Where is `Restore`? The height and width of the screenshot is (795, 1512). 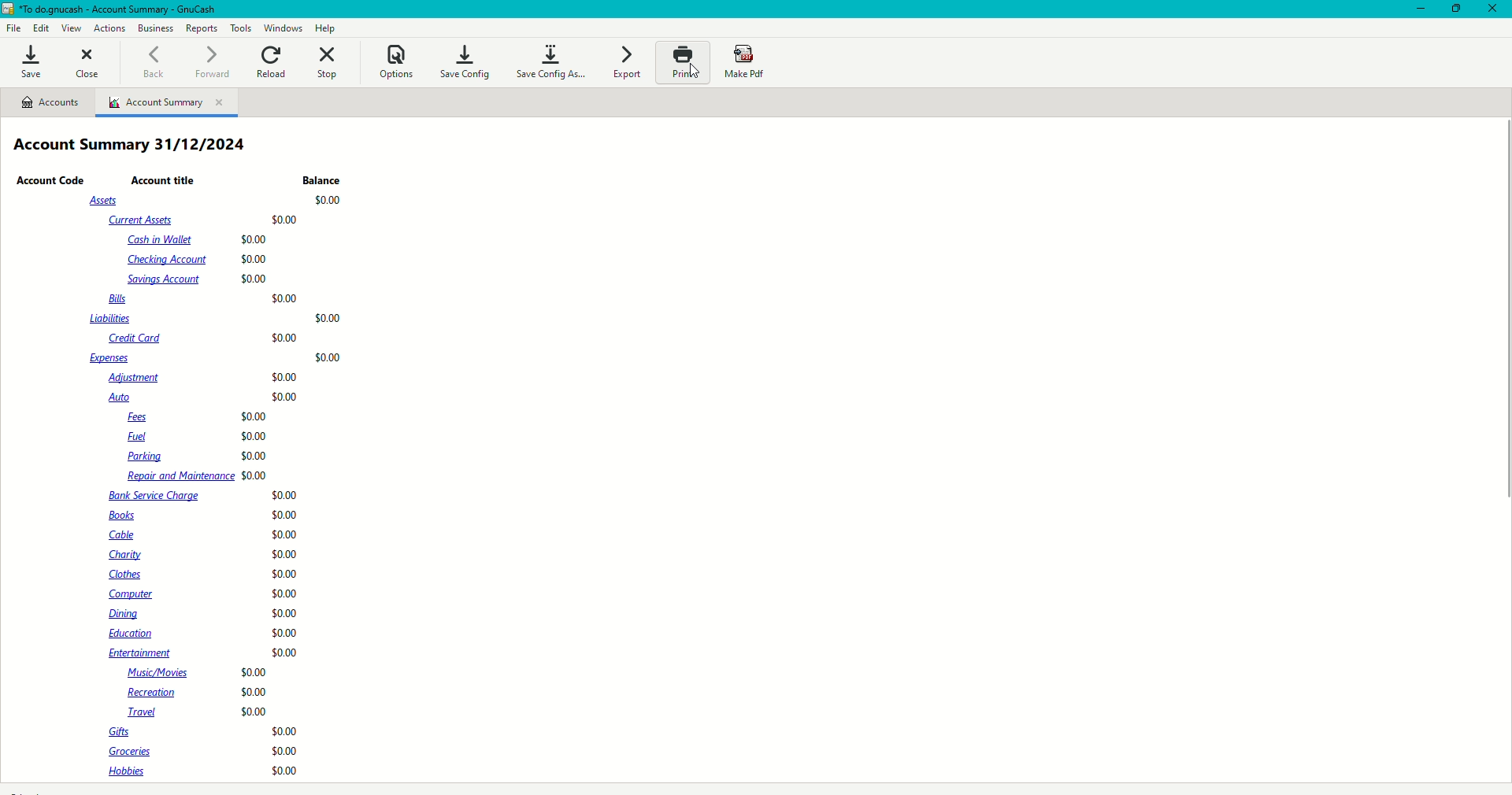 Restore is located at coordinates (1458, 8).